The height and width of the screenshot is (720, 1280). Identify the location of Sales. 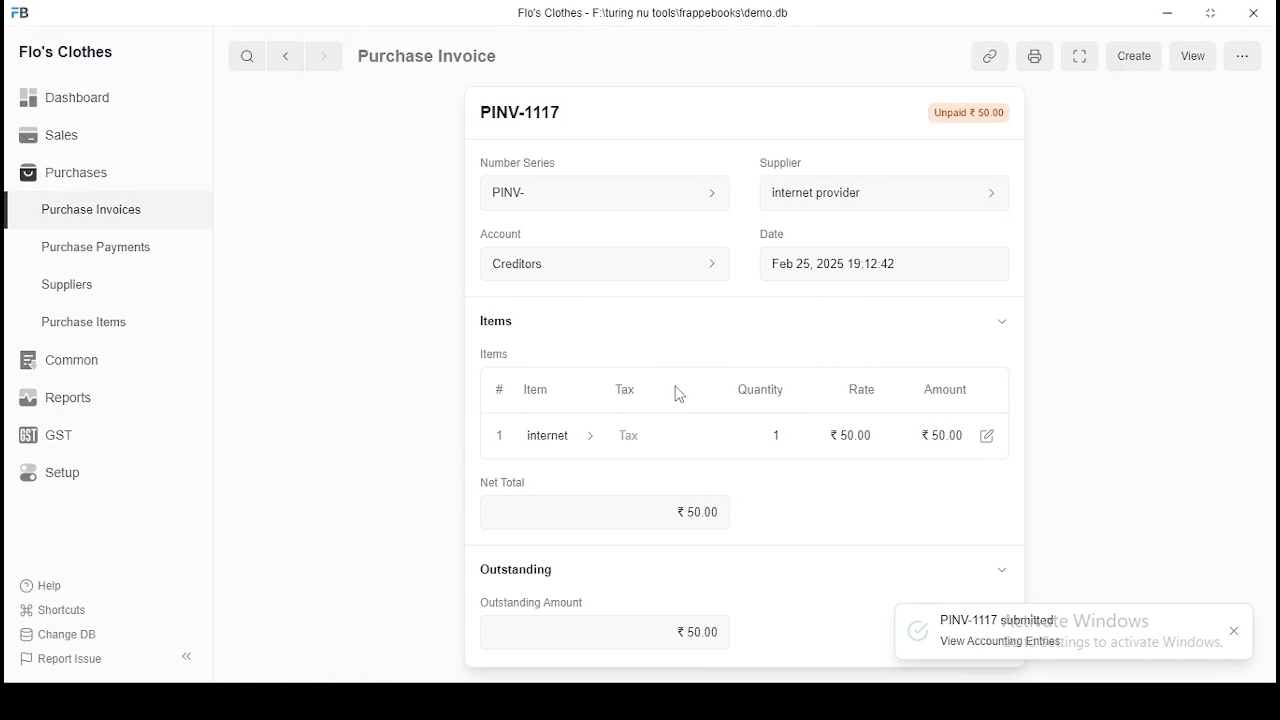
(55, 133).